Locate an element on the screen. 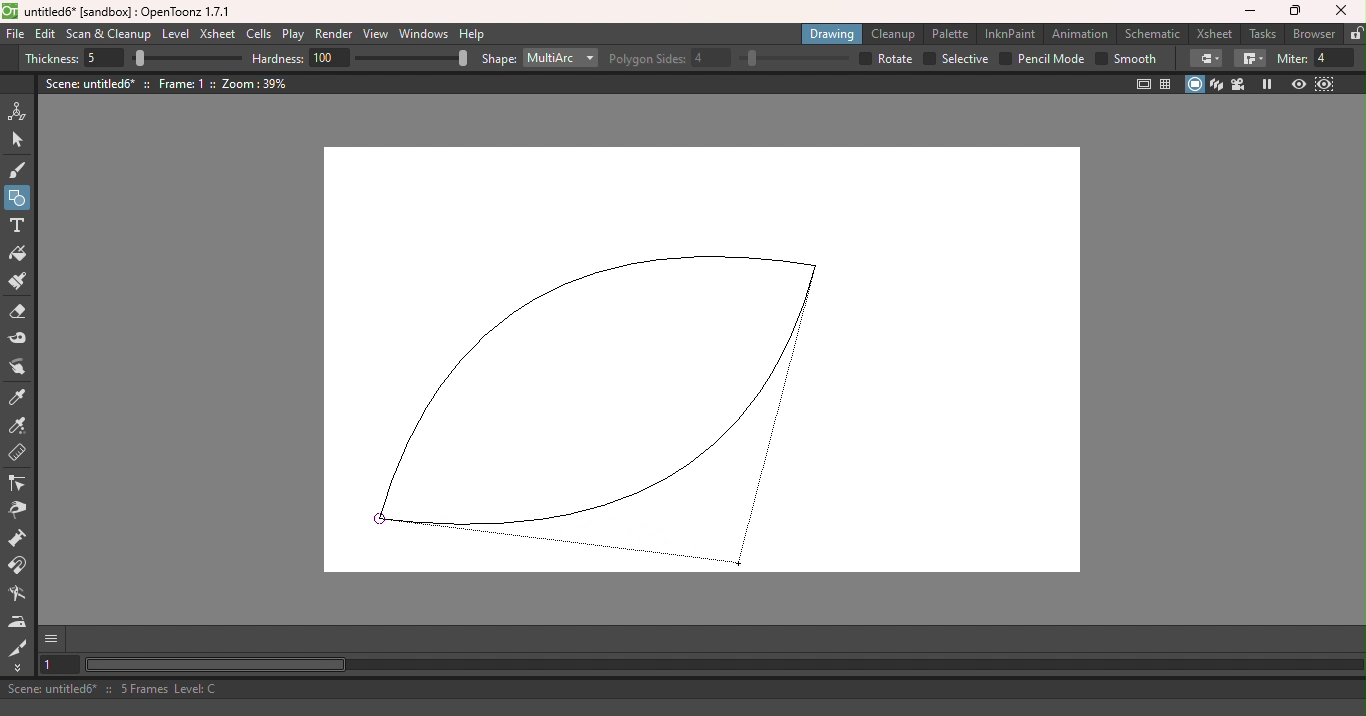  File is located at coordinates (15, 35).